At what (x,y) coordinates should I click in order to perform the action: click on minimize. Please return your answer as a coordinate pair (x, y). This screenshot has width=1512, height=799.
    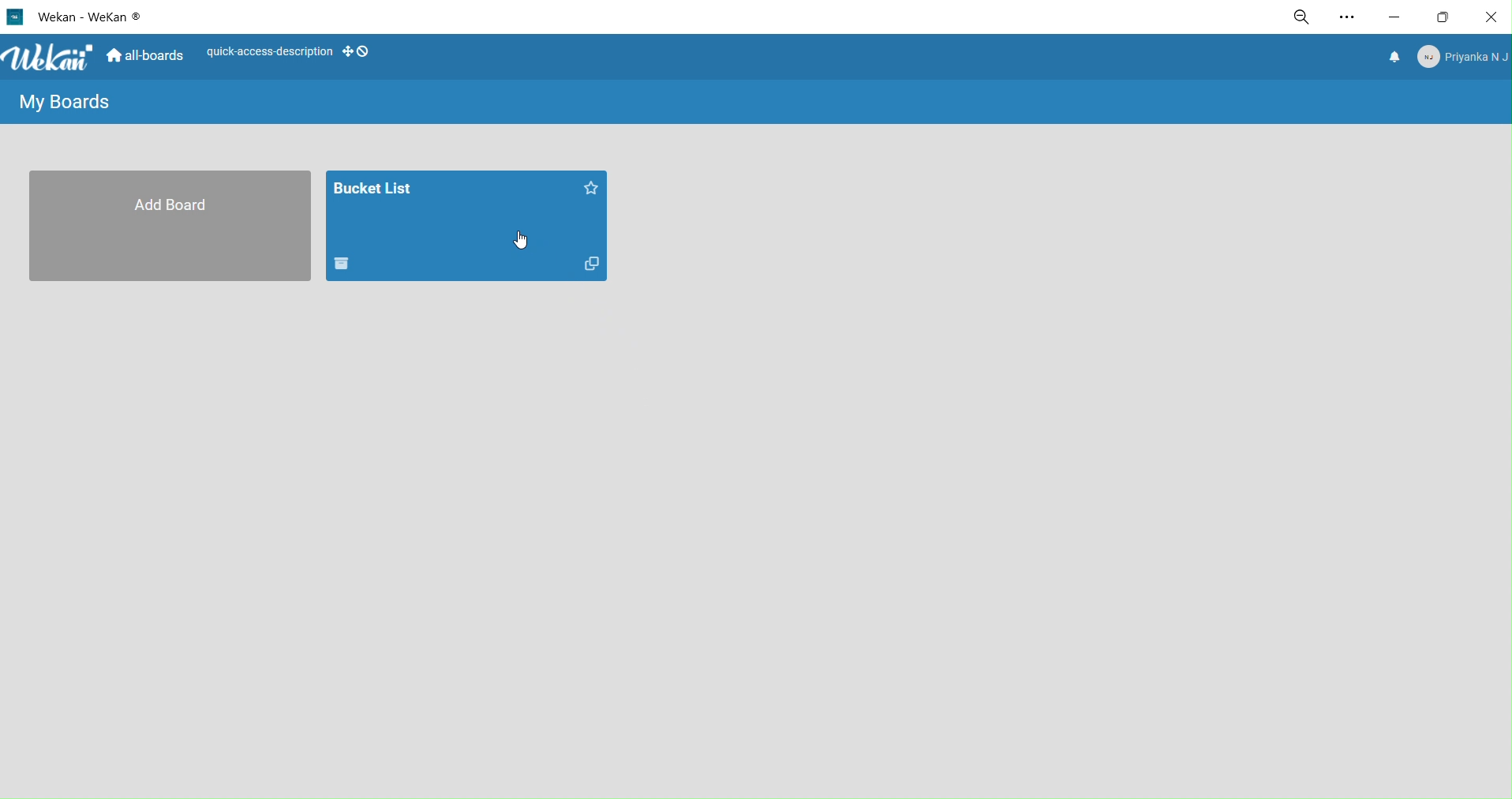
    Looking at the image, I should click on (1394, 16).